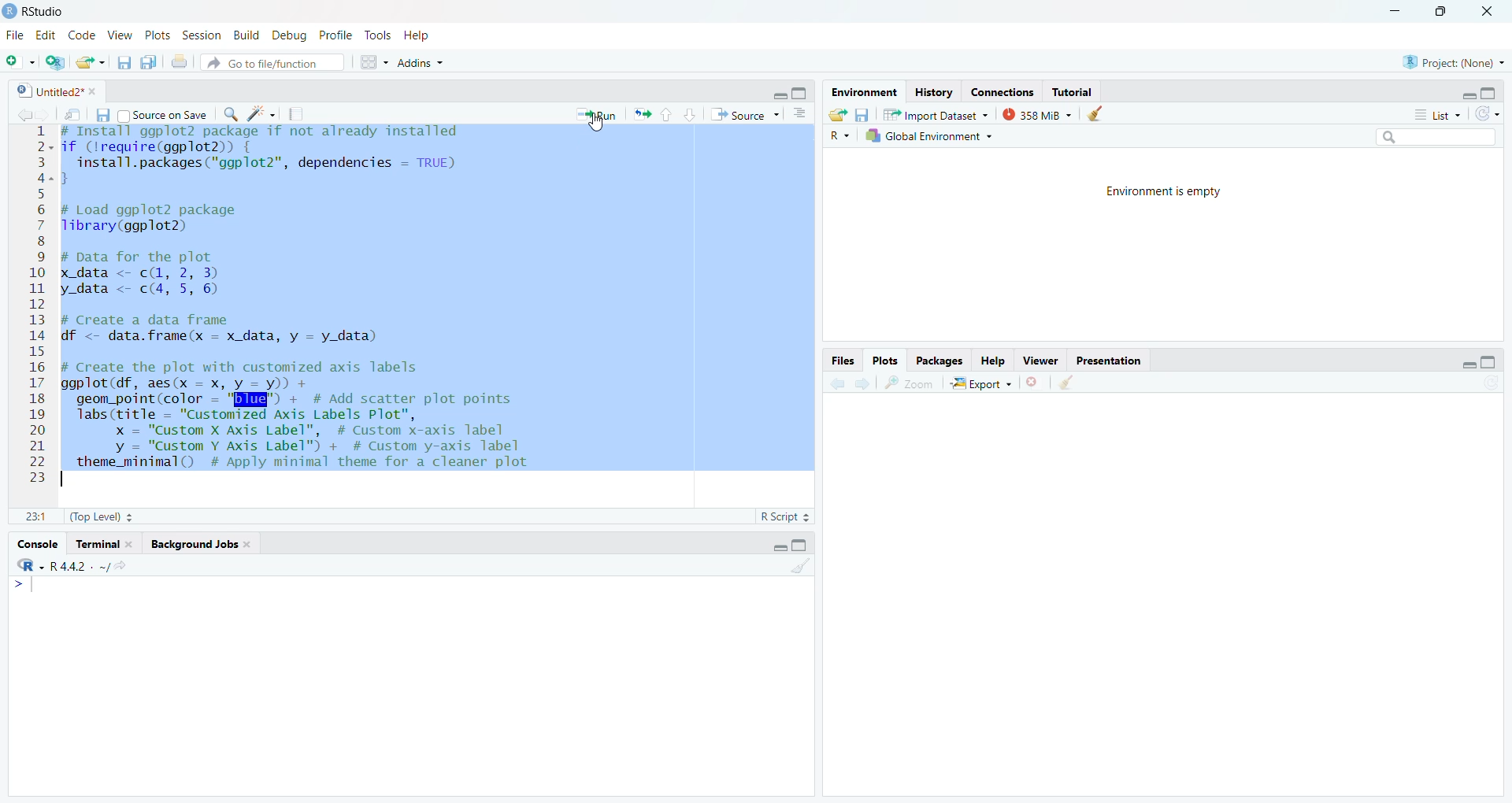  Describe the element at coordinates (88, 517) in the screenshot. I see `11 (Top Level) 3` at that location.